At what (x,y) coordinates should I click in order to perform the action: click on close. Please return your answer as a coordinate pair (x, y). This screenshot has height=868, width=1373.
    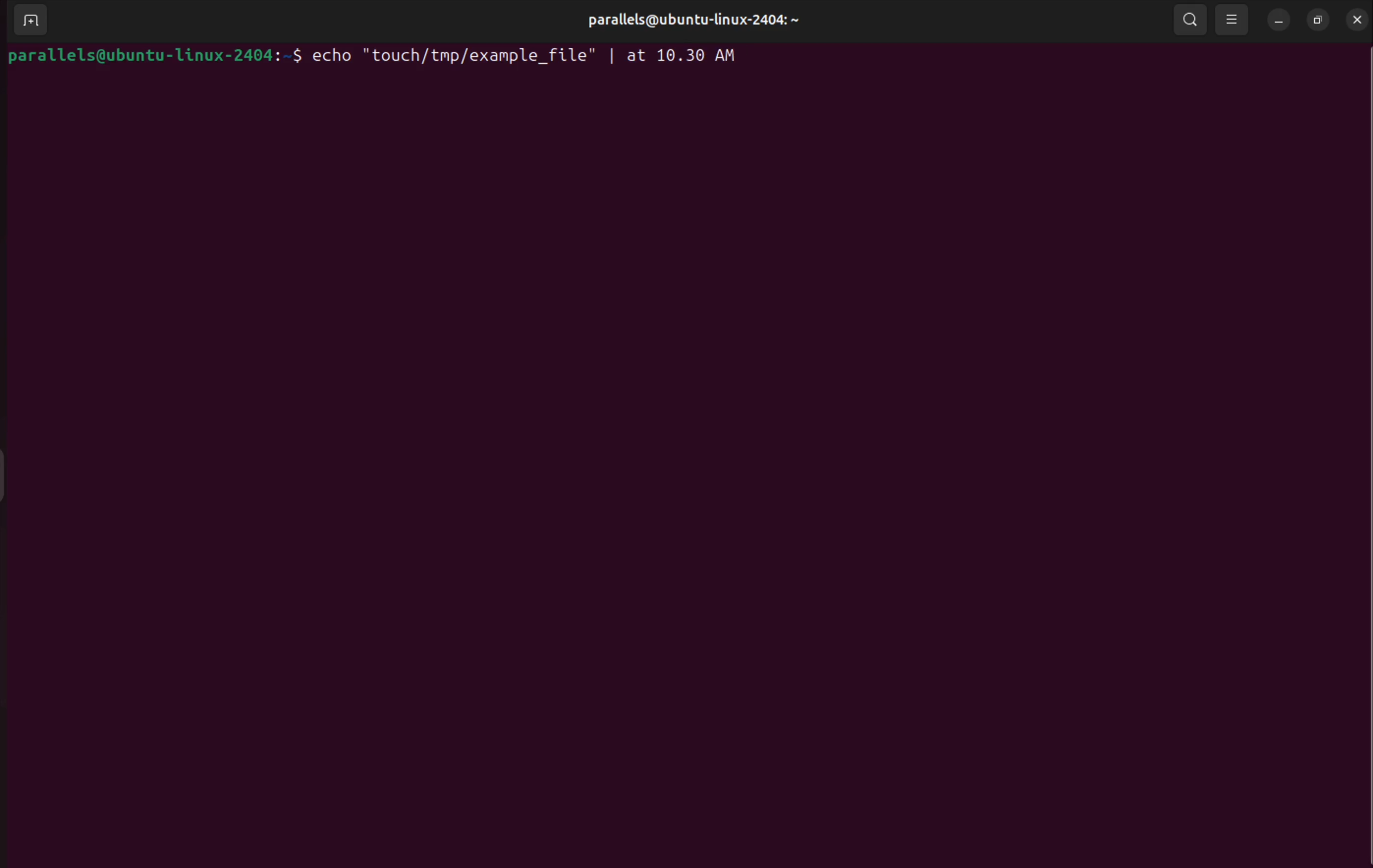
    Looking at the image, I should click on (1354, 20).